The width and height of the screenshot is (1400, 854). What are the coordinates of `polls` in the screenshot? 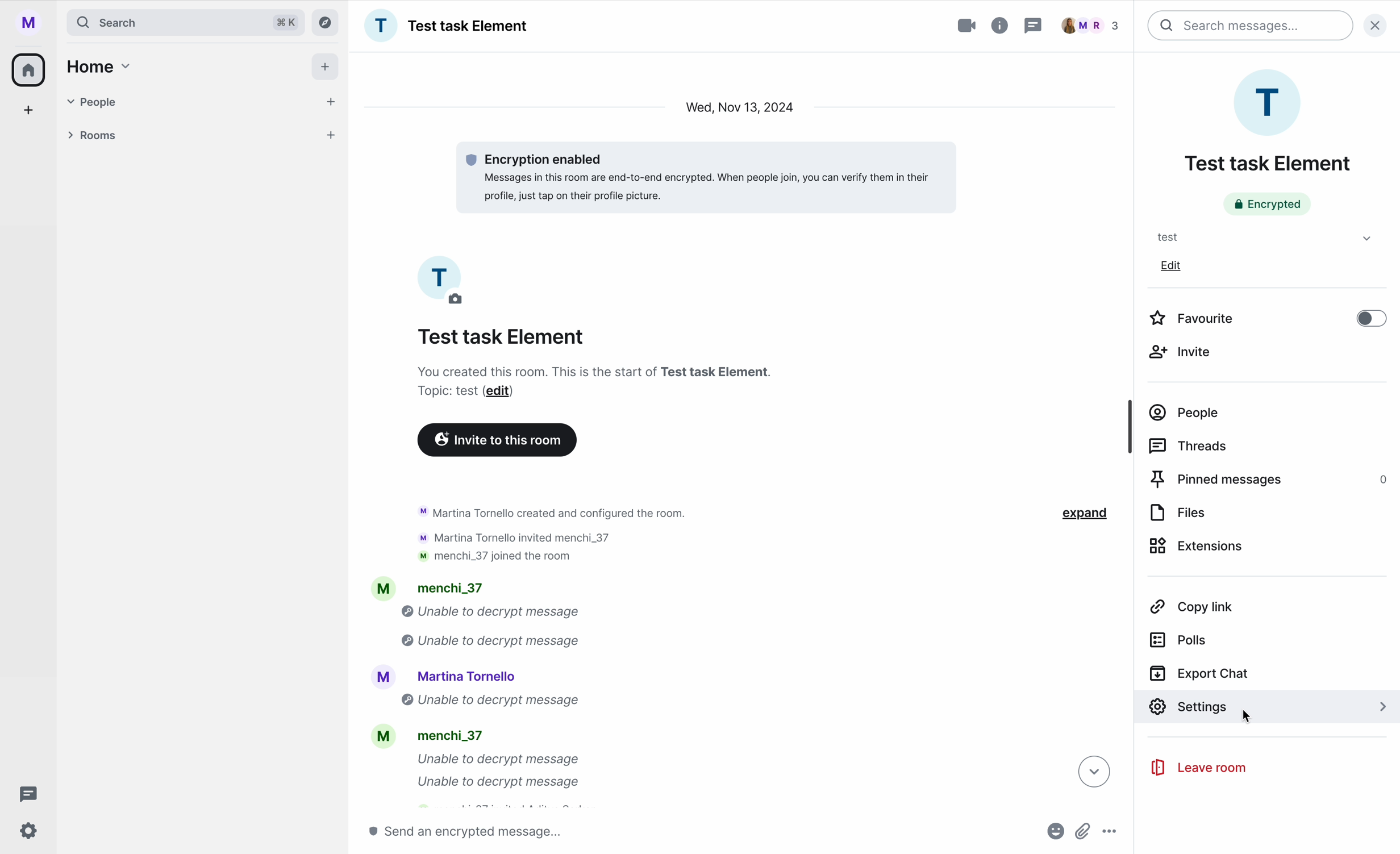 It's located at (1182, 639).